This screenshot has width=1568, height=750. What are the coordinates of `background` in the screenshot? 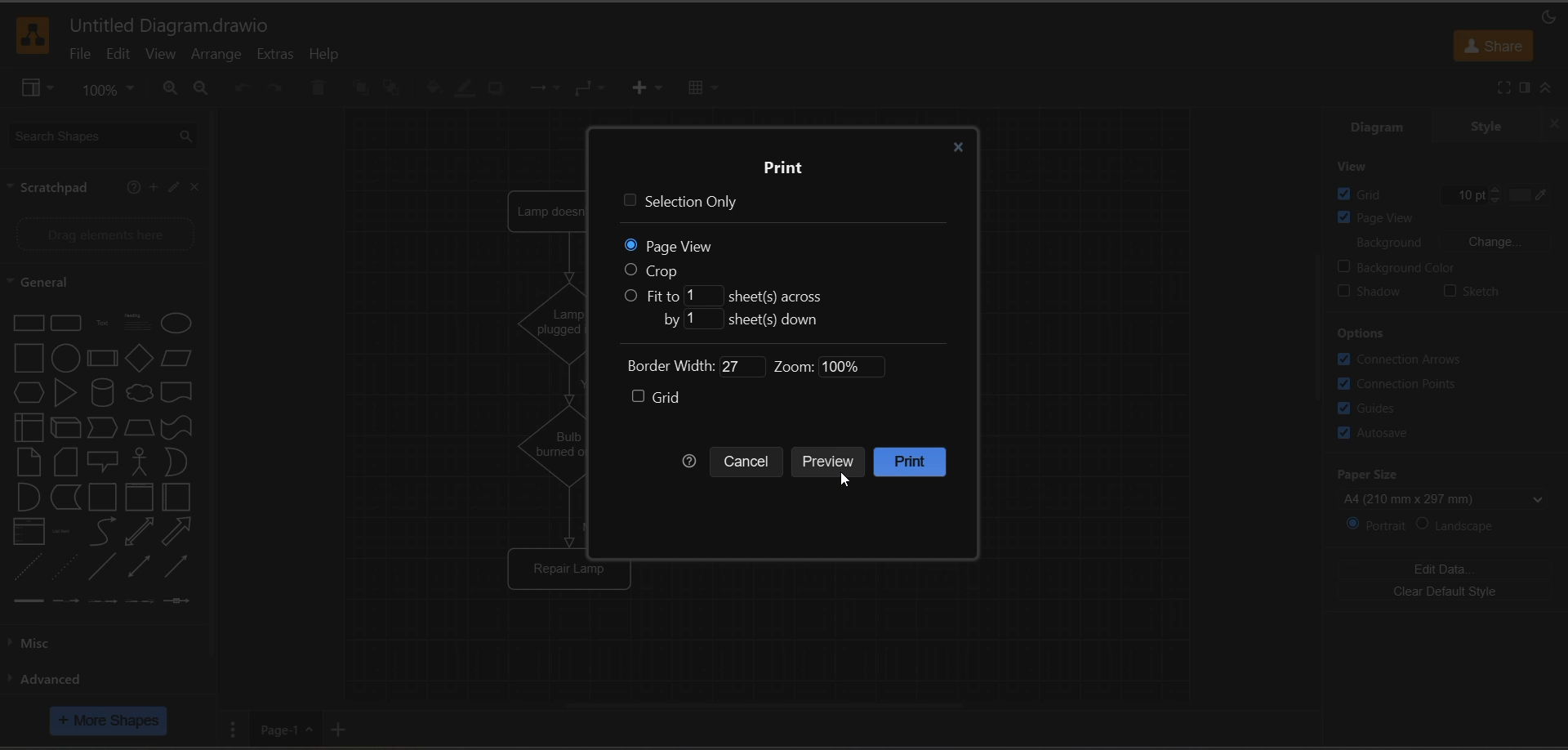 It's located at (1450, 243).